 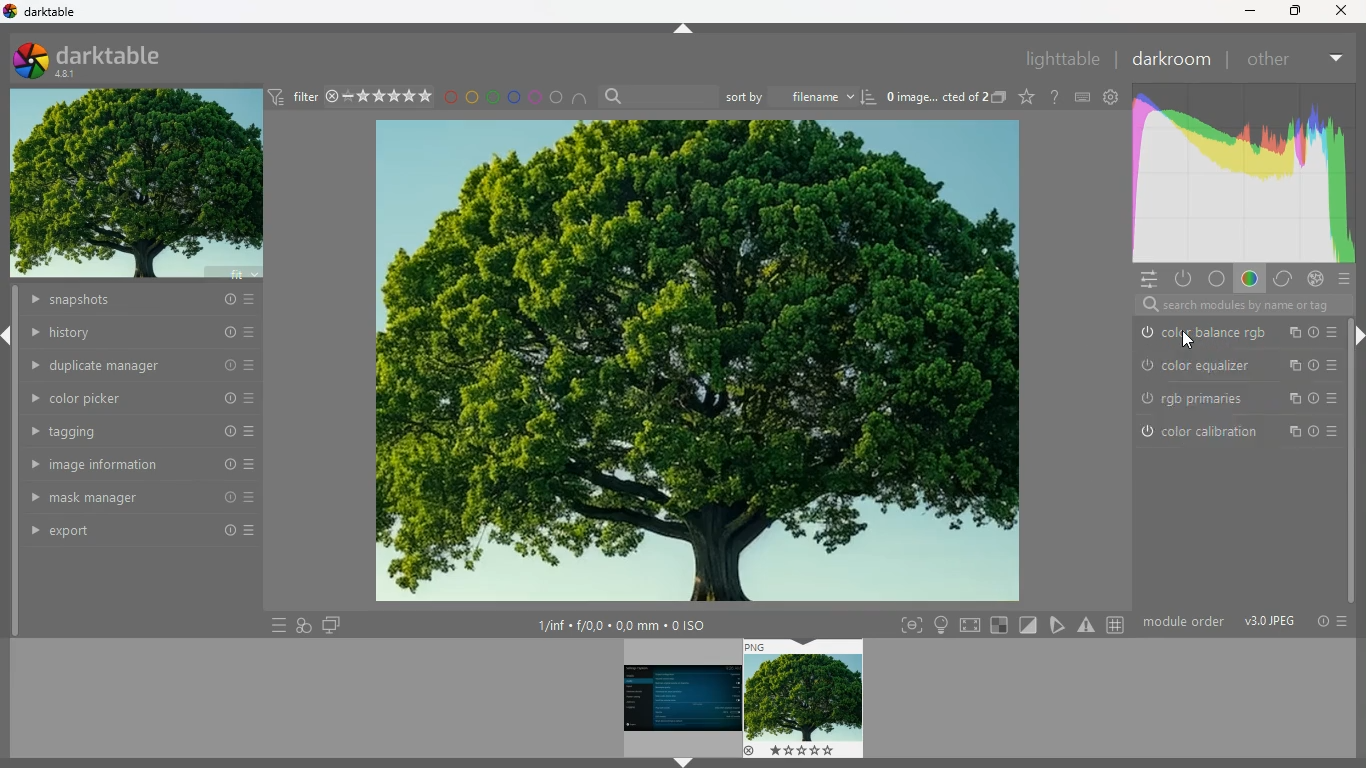 What do you see at coordinates (1190, 340) in the screenshot?
I see `cursor` at bounding box center [1190, 340].